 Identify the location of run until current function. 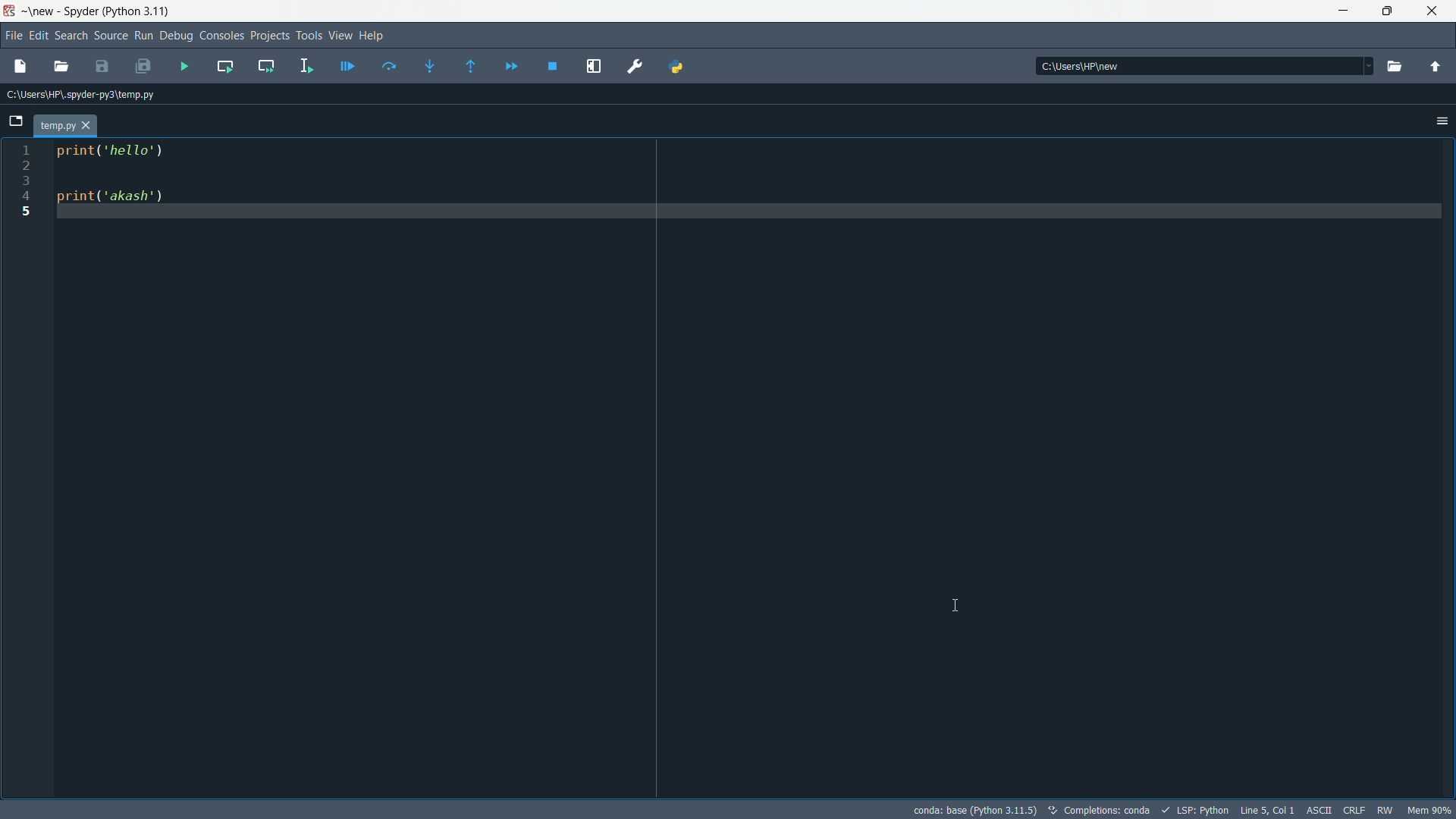
(471, 67).